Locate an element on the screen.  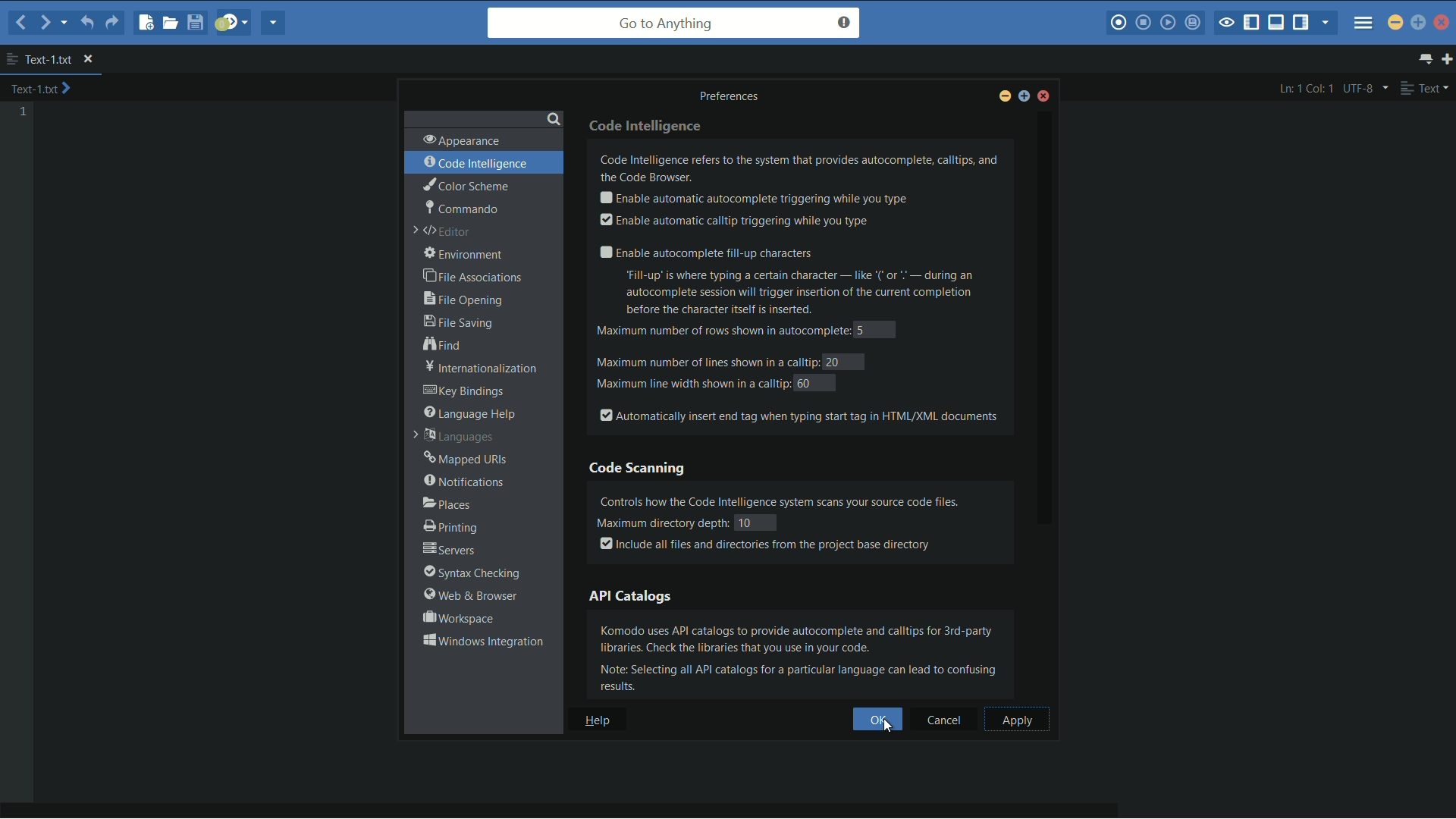
20 is located at coordinates (834, 362).